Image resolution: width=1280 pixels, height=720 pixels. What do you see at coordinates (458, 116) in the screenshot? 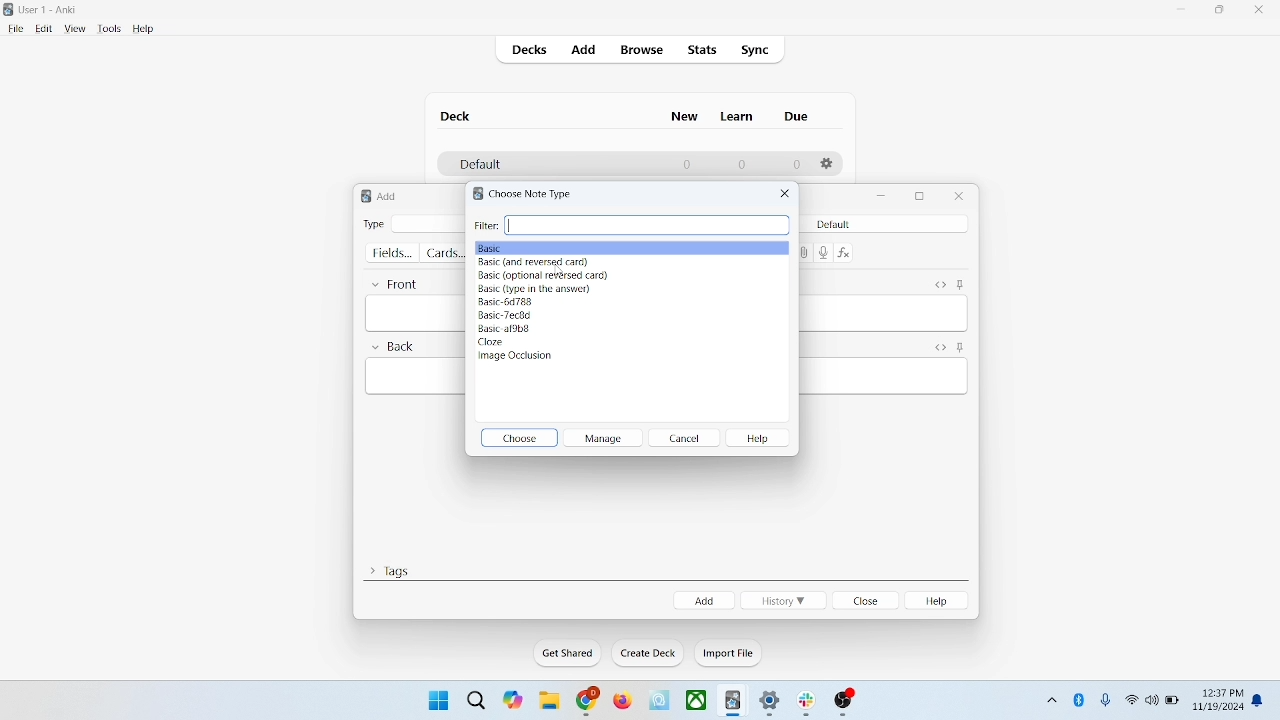
I see `deck` at bounding box center [458, 116].